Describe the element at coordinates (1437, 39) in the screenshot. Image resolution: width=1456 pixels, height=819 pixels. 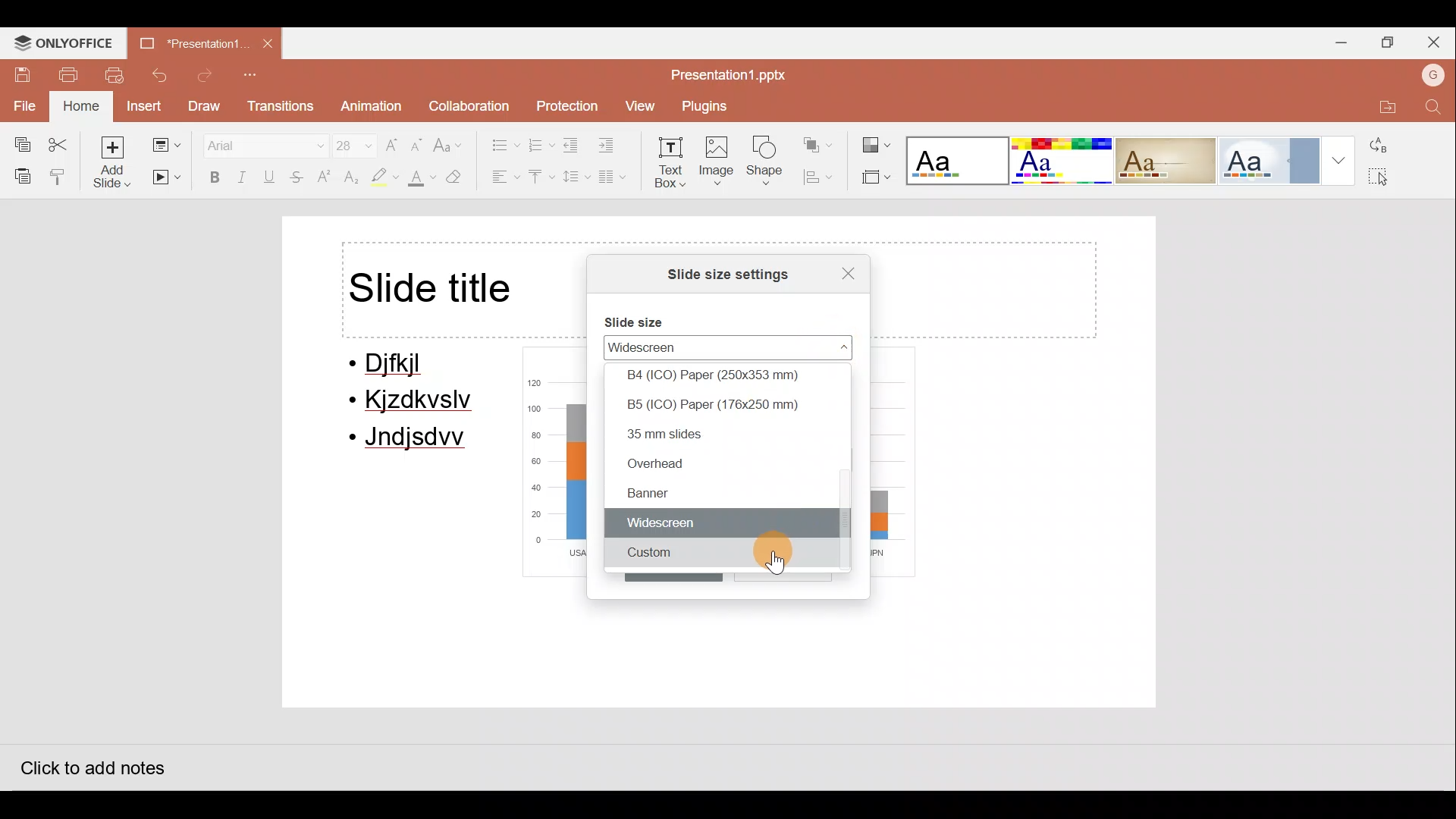
I see `Close` at that location.